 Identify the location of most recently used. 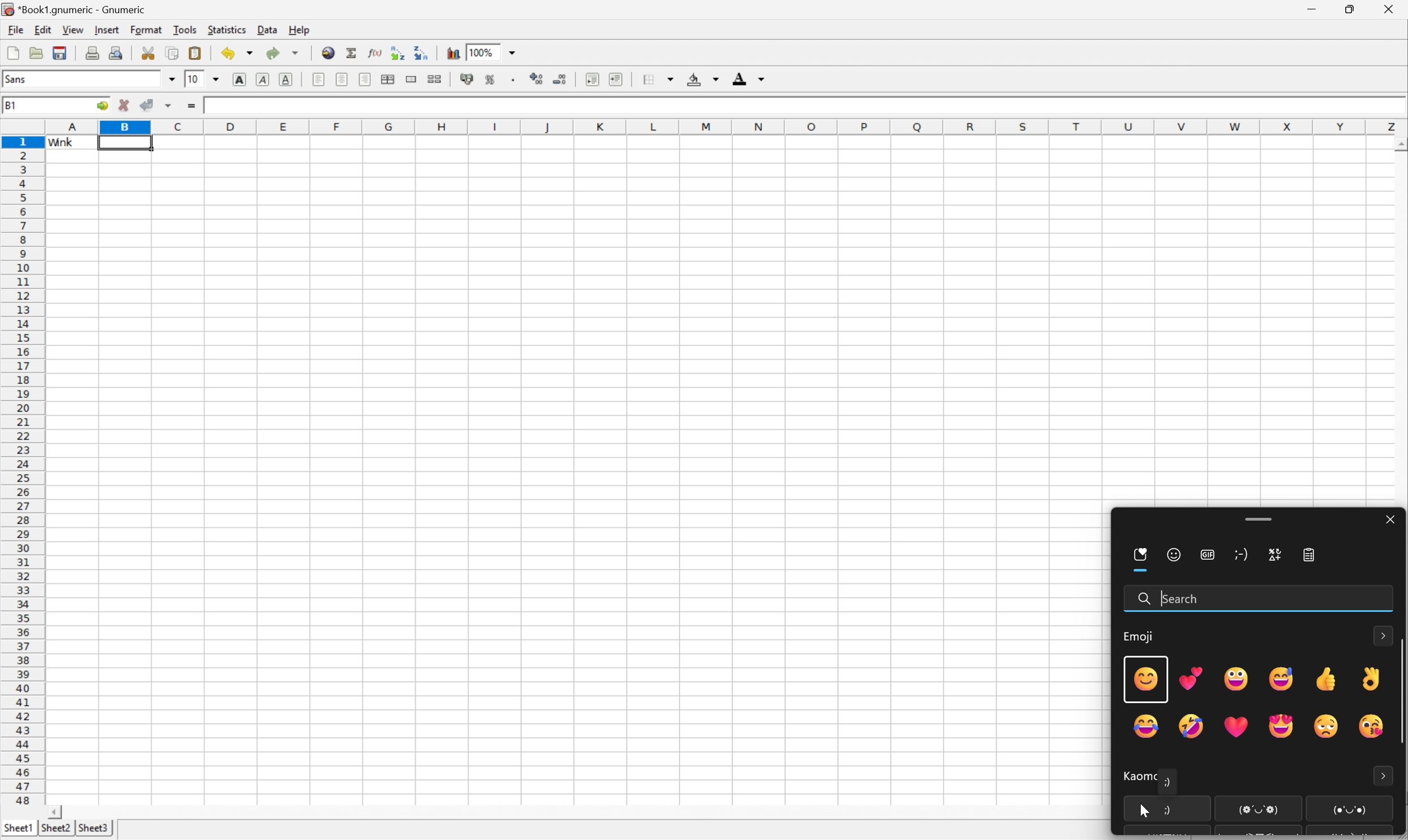
(1141, 559).